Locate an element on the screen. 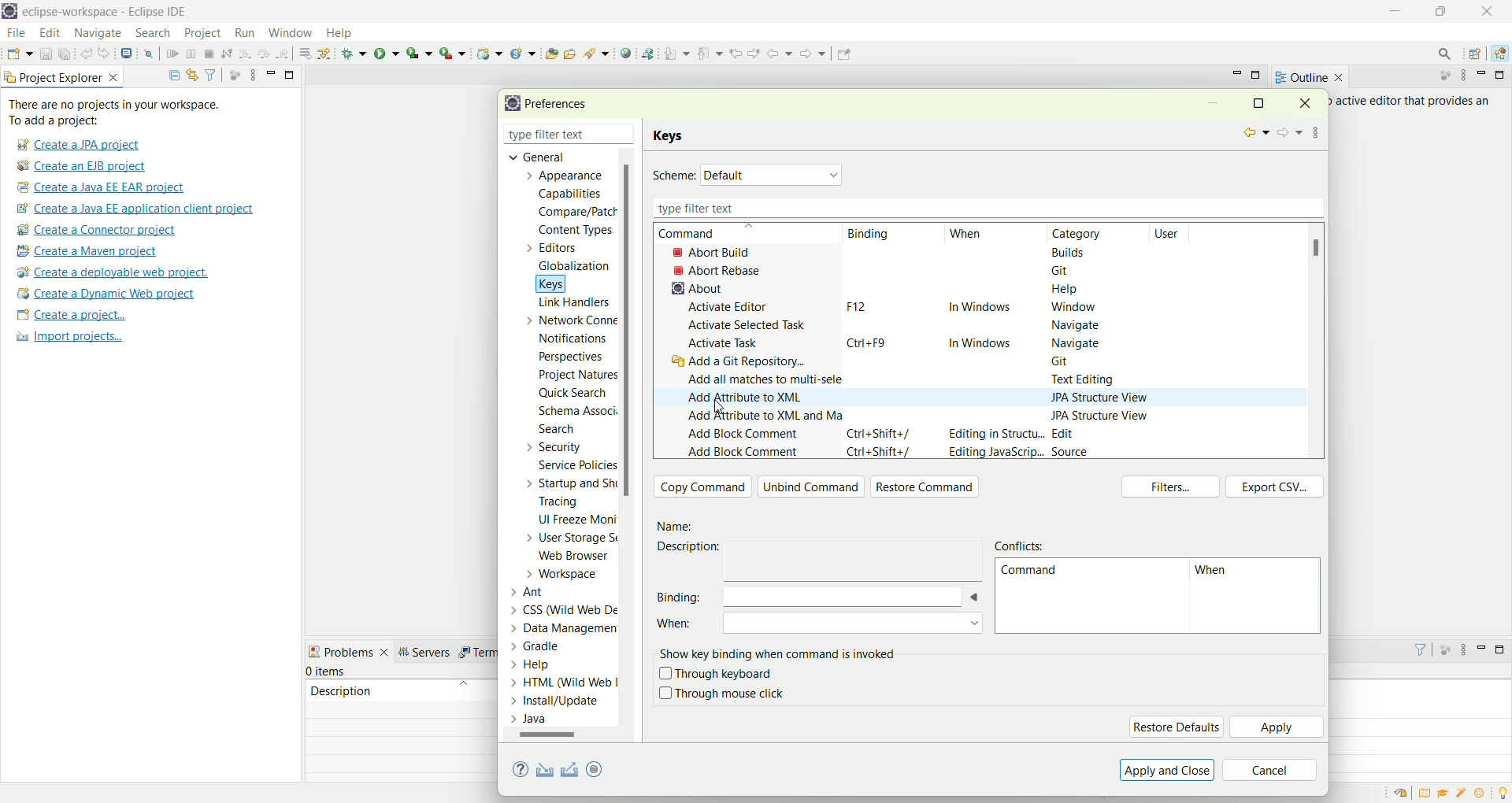 This screenshot has height=803, width=1512. hen is located at coordinates (1216, 573).